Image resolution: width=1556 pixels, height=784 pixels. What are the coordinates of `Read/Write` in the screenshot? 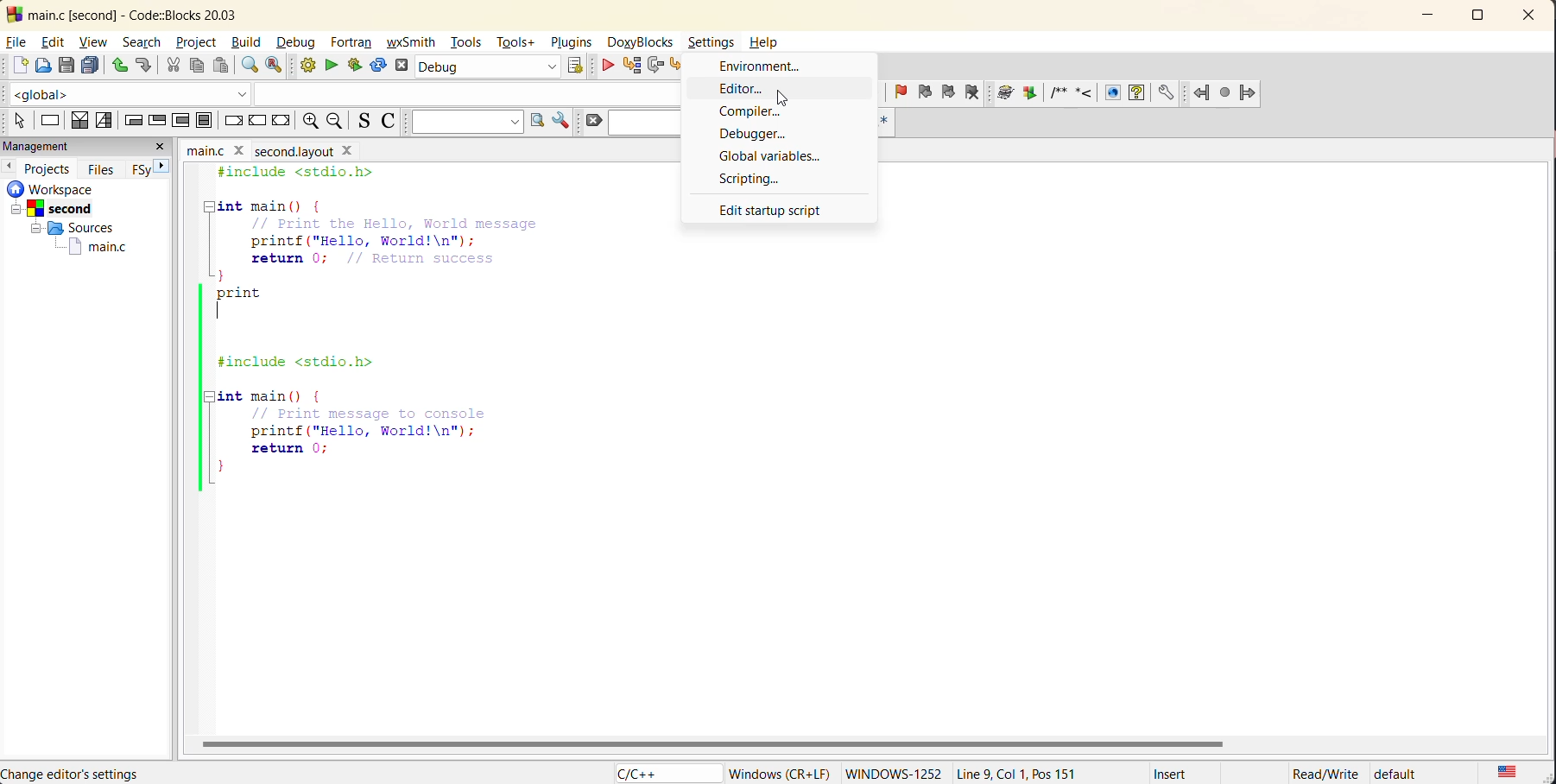 It's located at (1325, 773).